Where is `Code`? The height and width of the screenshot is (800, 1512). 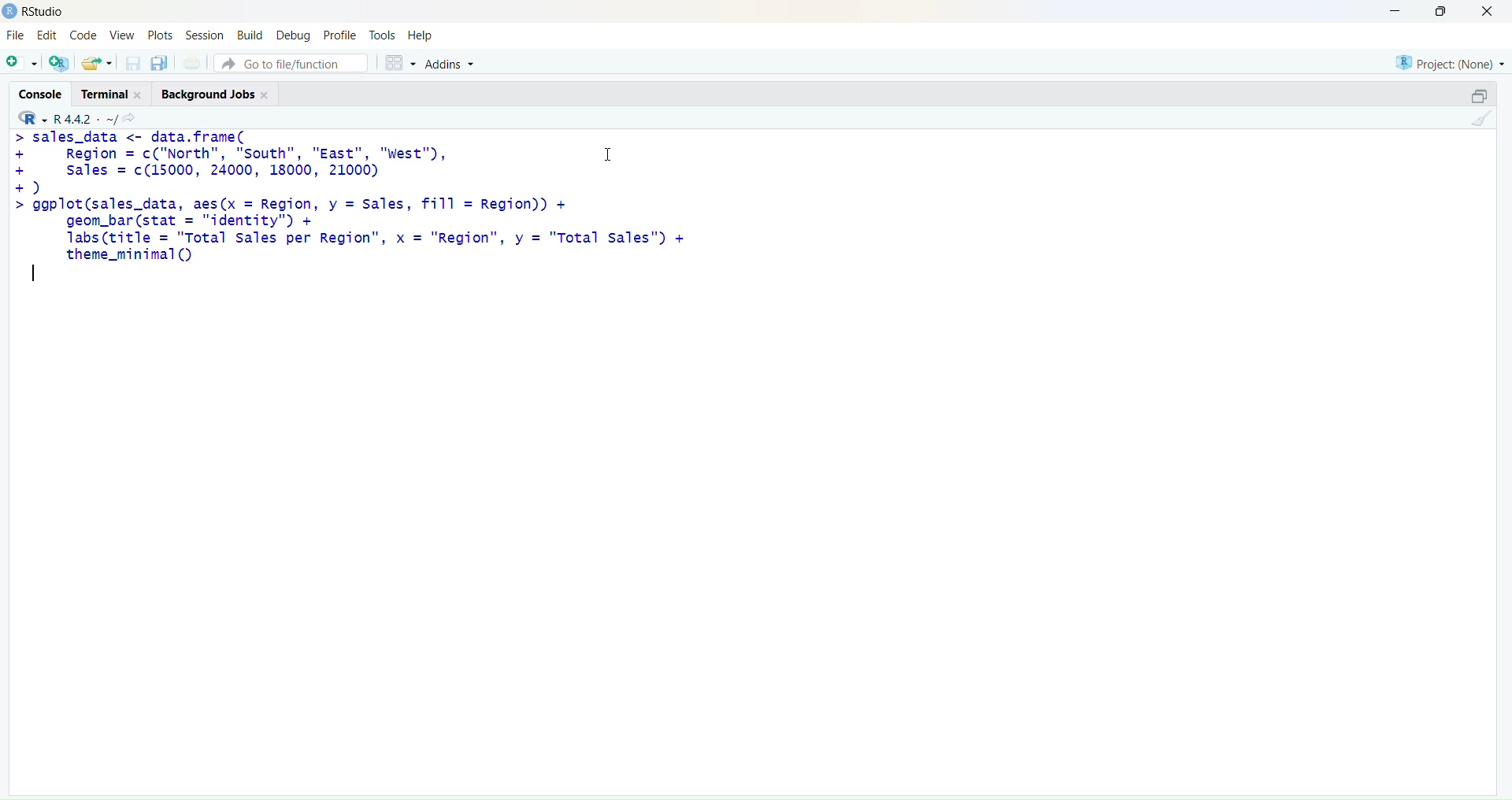 Code is located at coordinates (84, 35).